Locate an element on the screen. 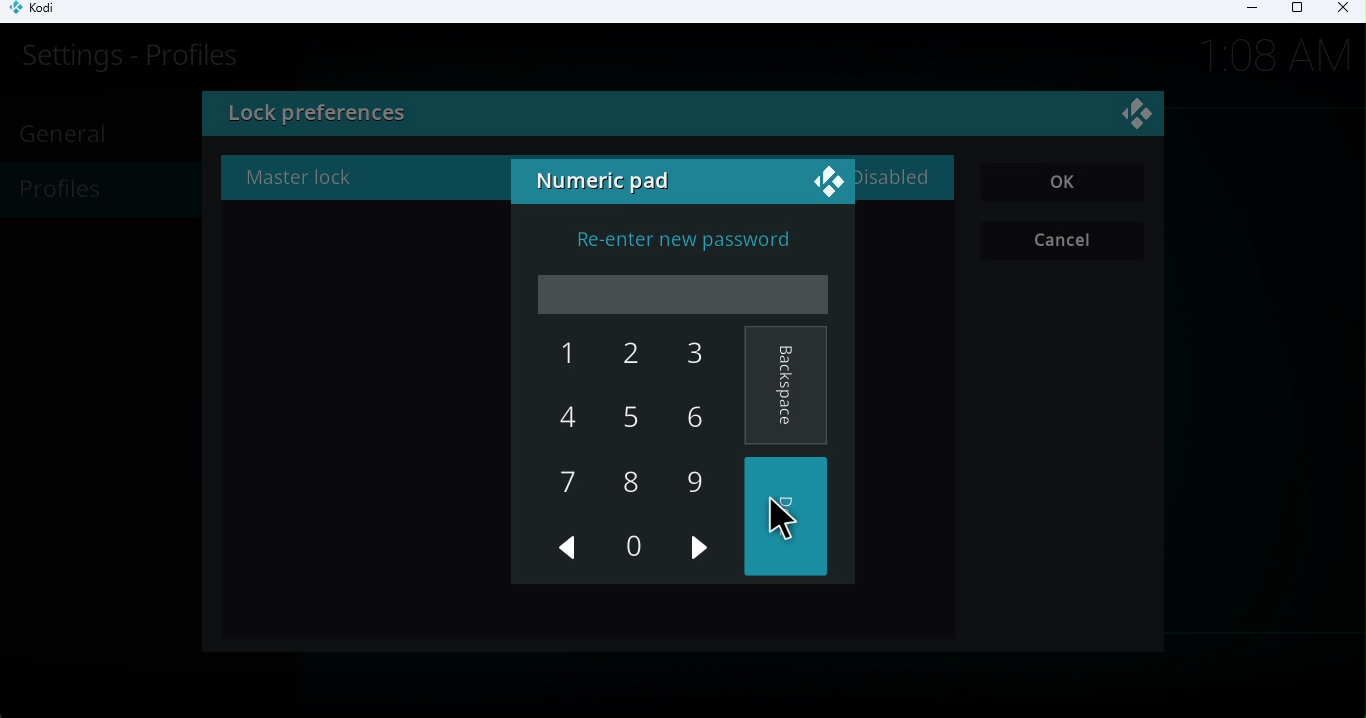  6 is located at coordinates (689, 416).